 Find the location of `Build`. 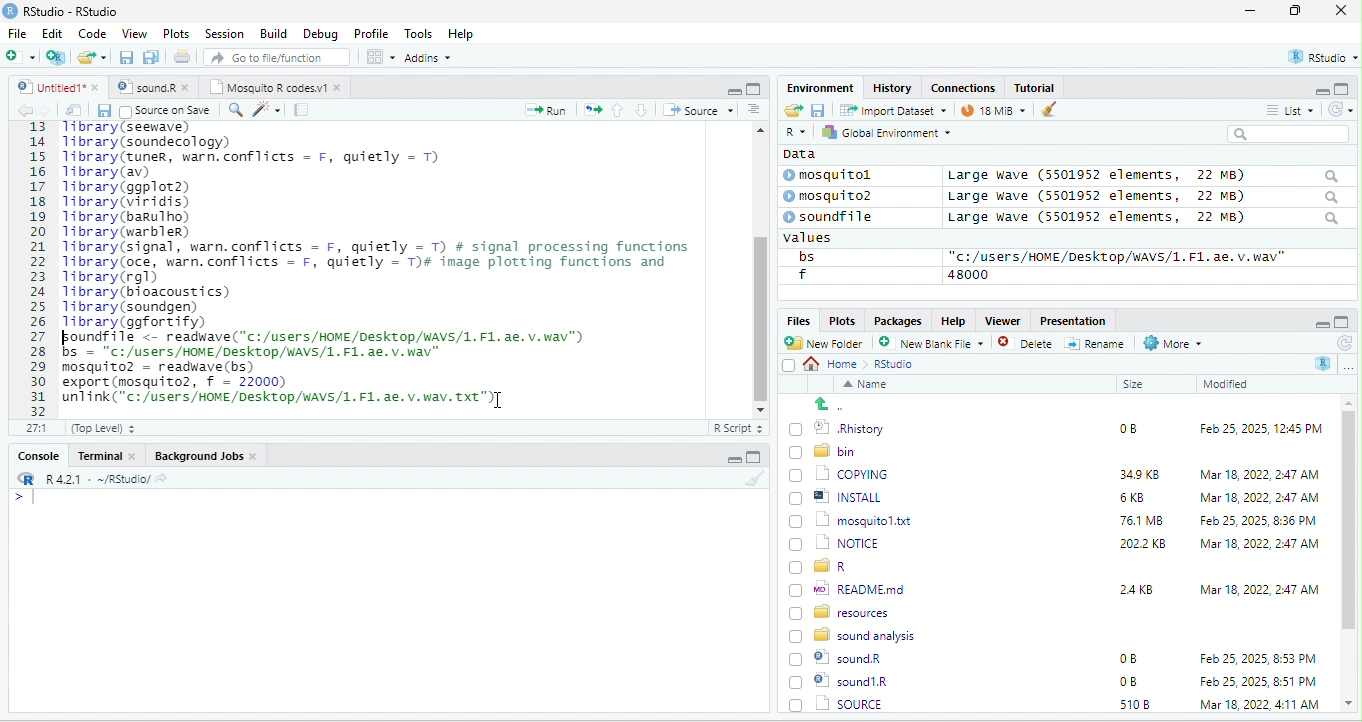

Build is located at coordinates (274, 33).